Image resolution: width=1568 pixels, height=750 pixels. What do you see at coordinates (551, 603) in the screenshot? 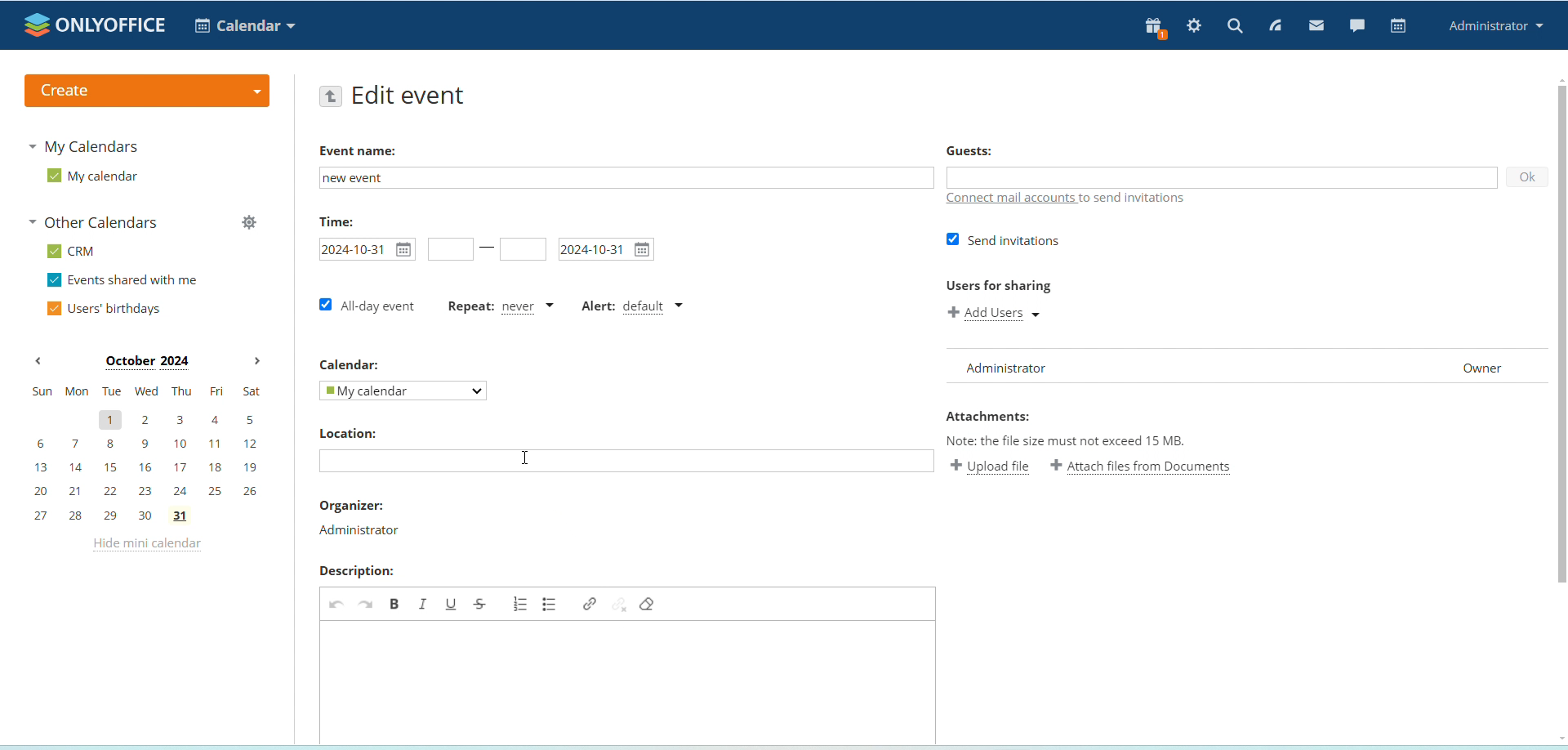
I see `add/remove bulleted list` at bounding box center [551, 603].